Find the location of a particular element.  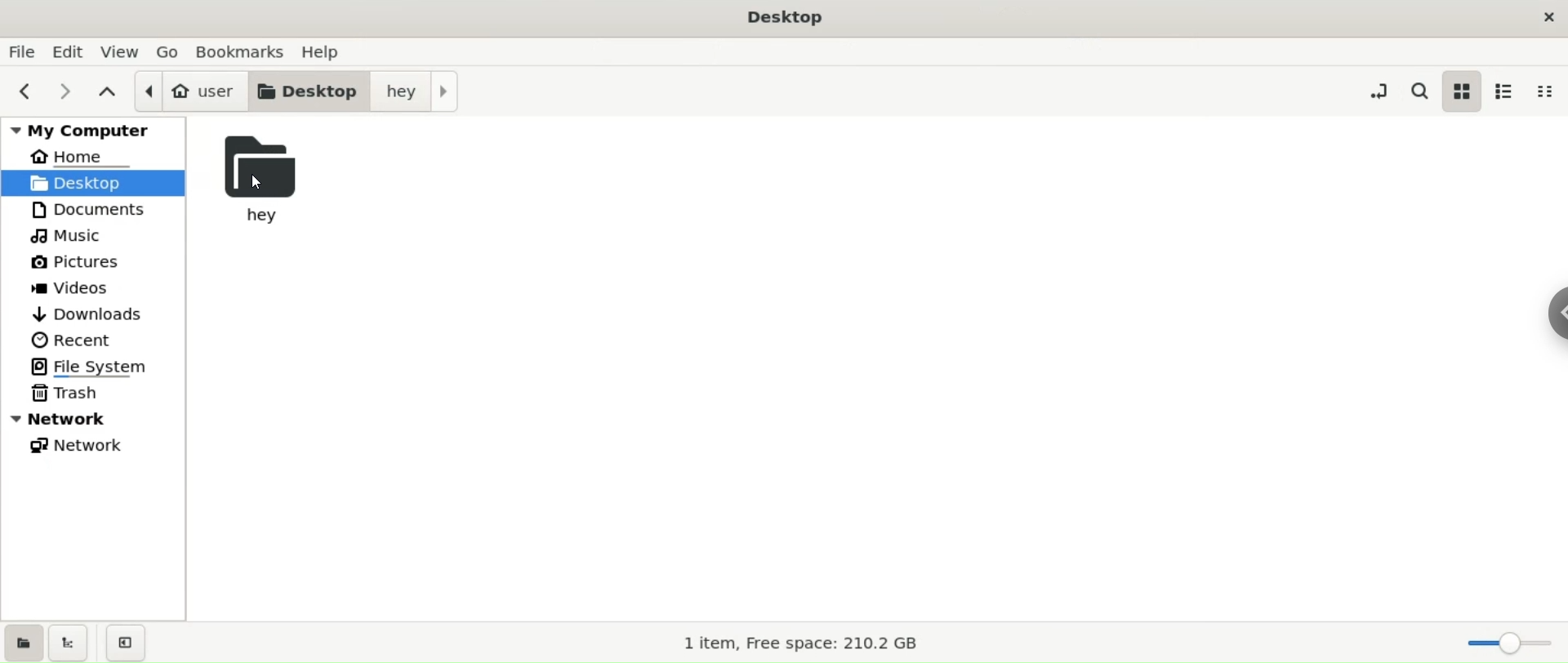

desktop is located at coordinates (787, 19).